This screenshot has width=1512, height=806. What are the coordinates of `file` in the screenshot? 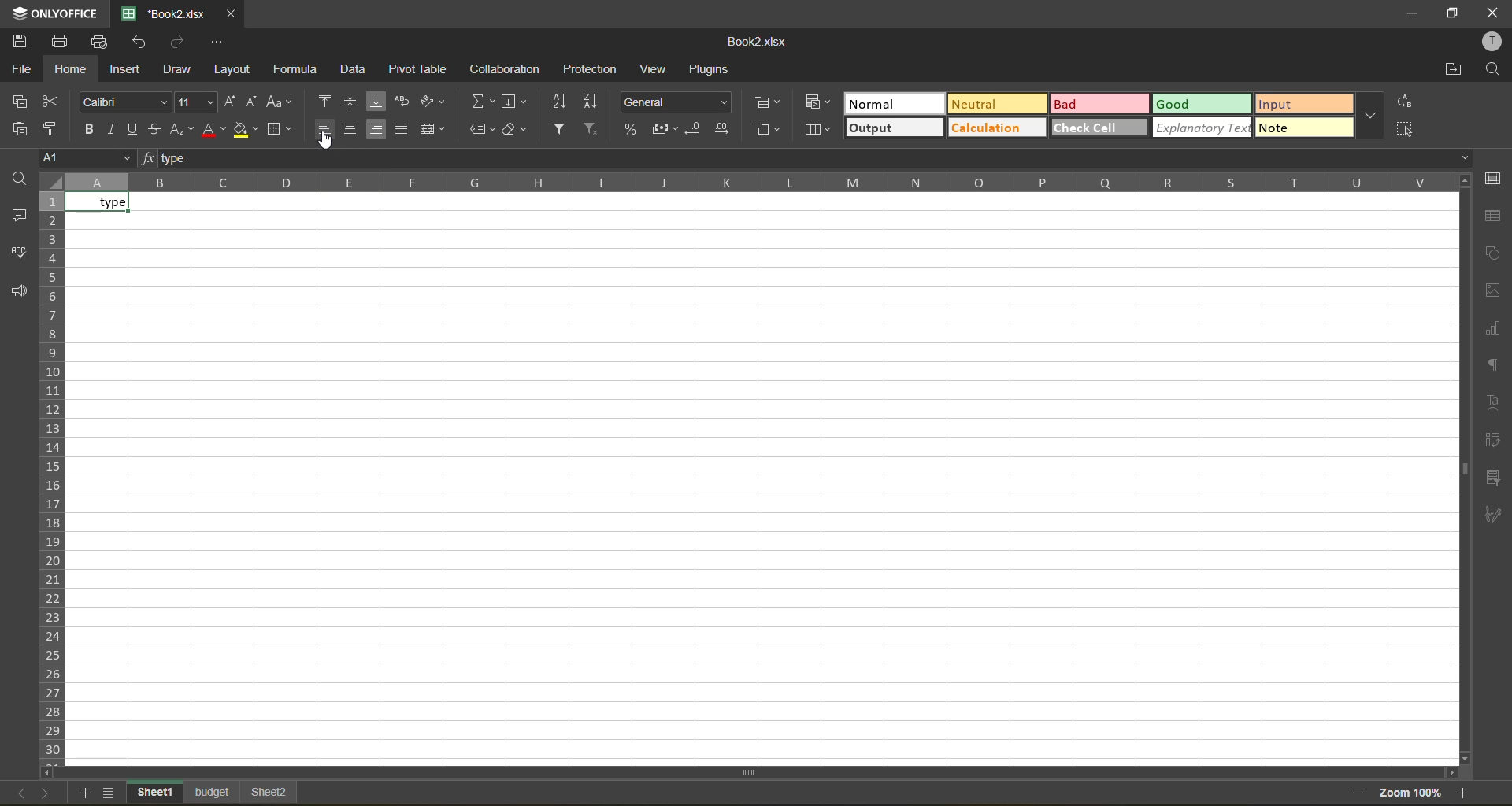 It's located at (19, 71).